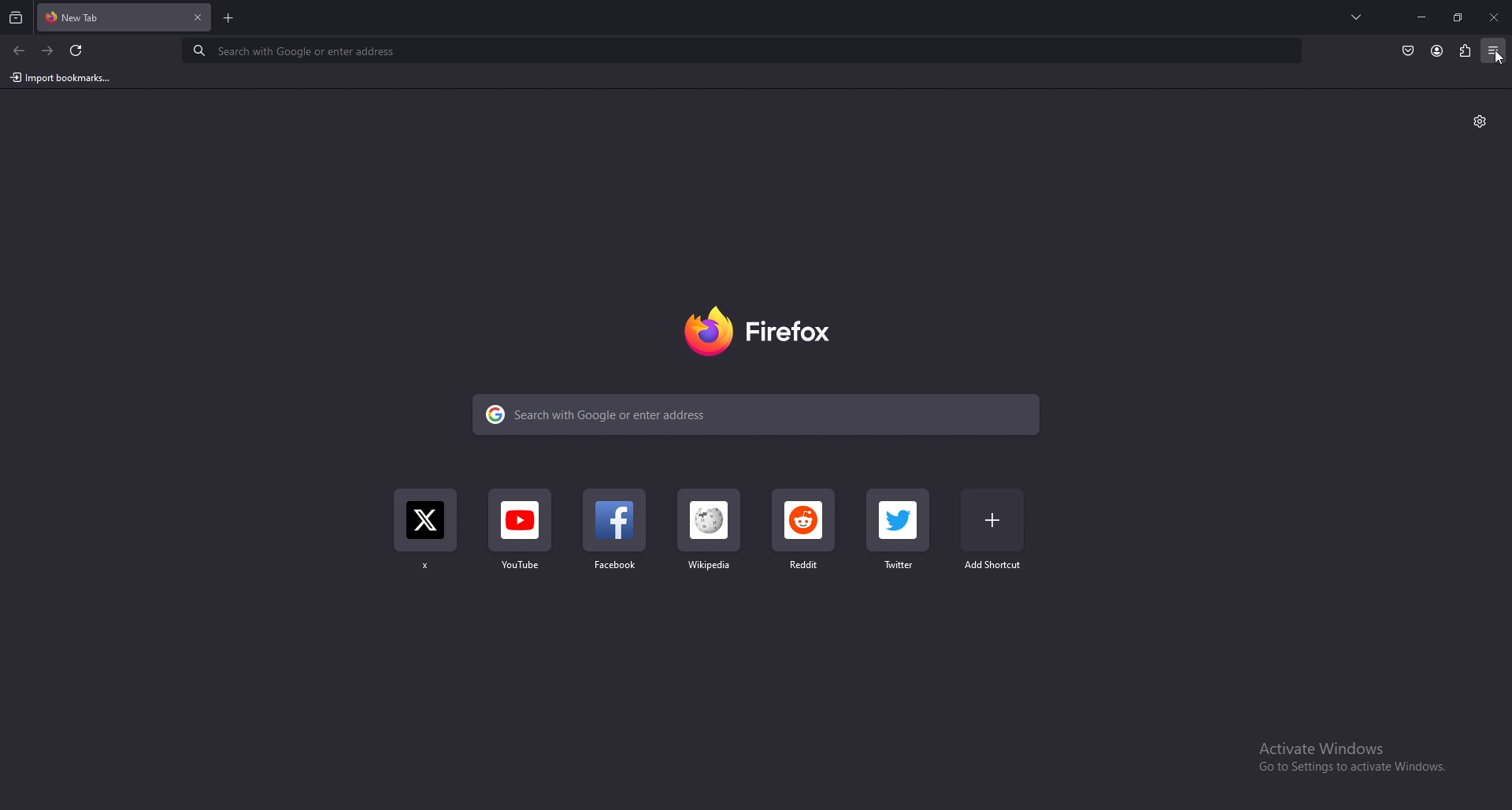  What do you see at coordinates (805, 535) in the screenshot?
I see `reddit` at bounding box center [805, 535].